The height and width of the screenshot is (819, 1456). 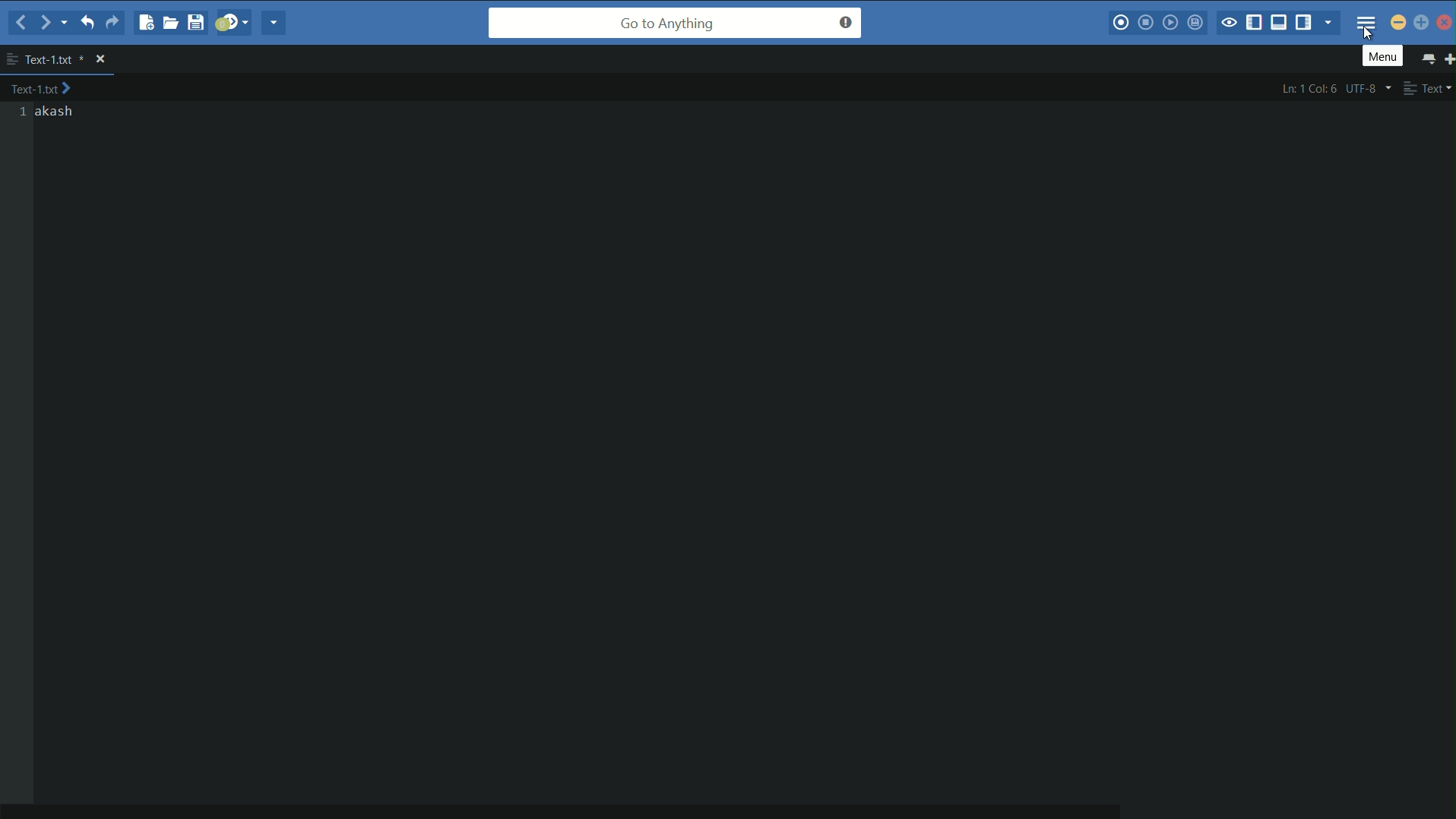 What do you see at coordinates (1372, 87) in the screenshot?
I see `line encoding` at bounding box center [1372, 87].